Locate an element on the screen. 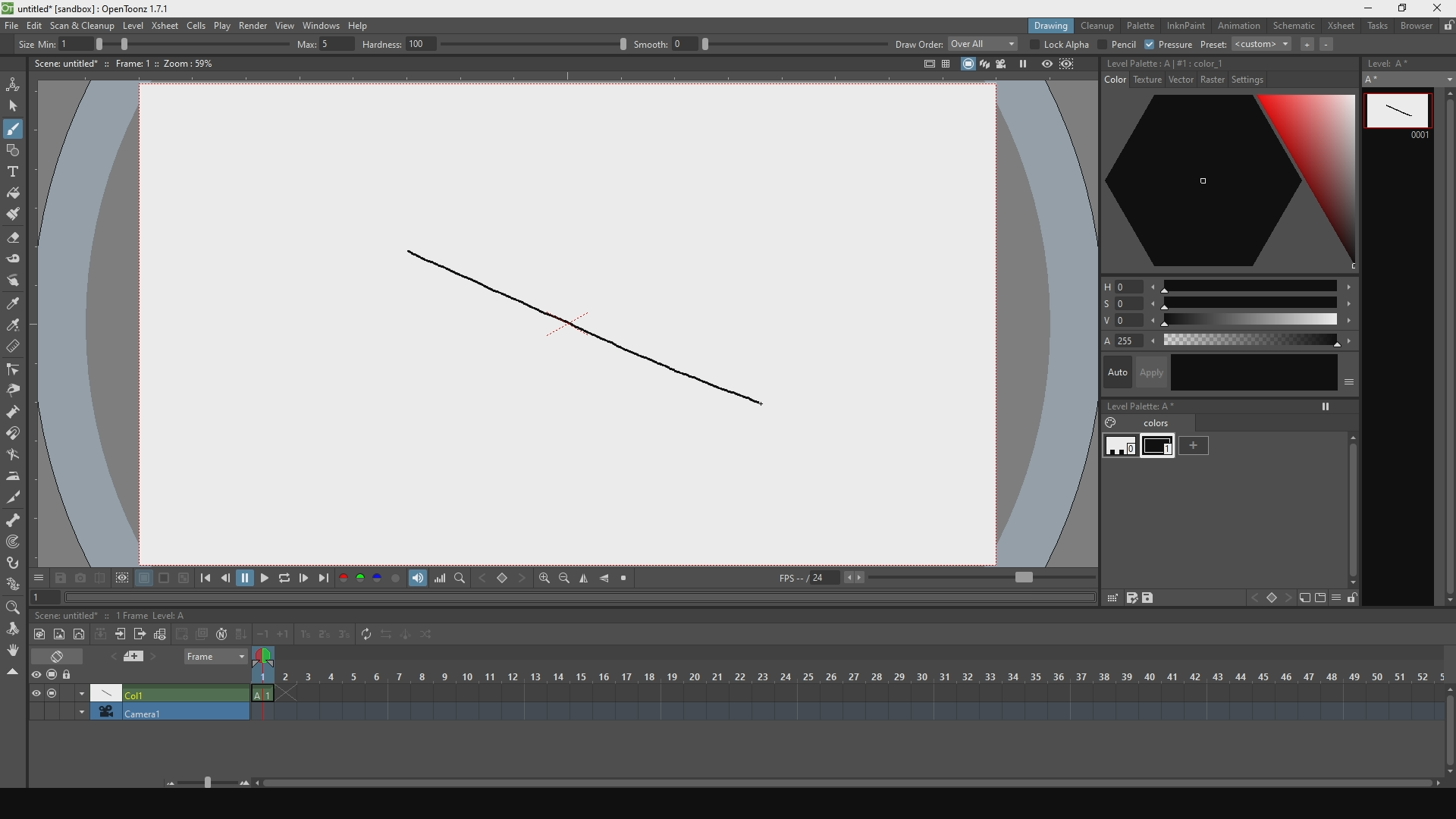 The height and width of the screenshot is (819, 1456). compare with captures is located at coordinates (100, 579).